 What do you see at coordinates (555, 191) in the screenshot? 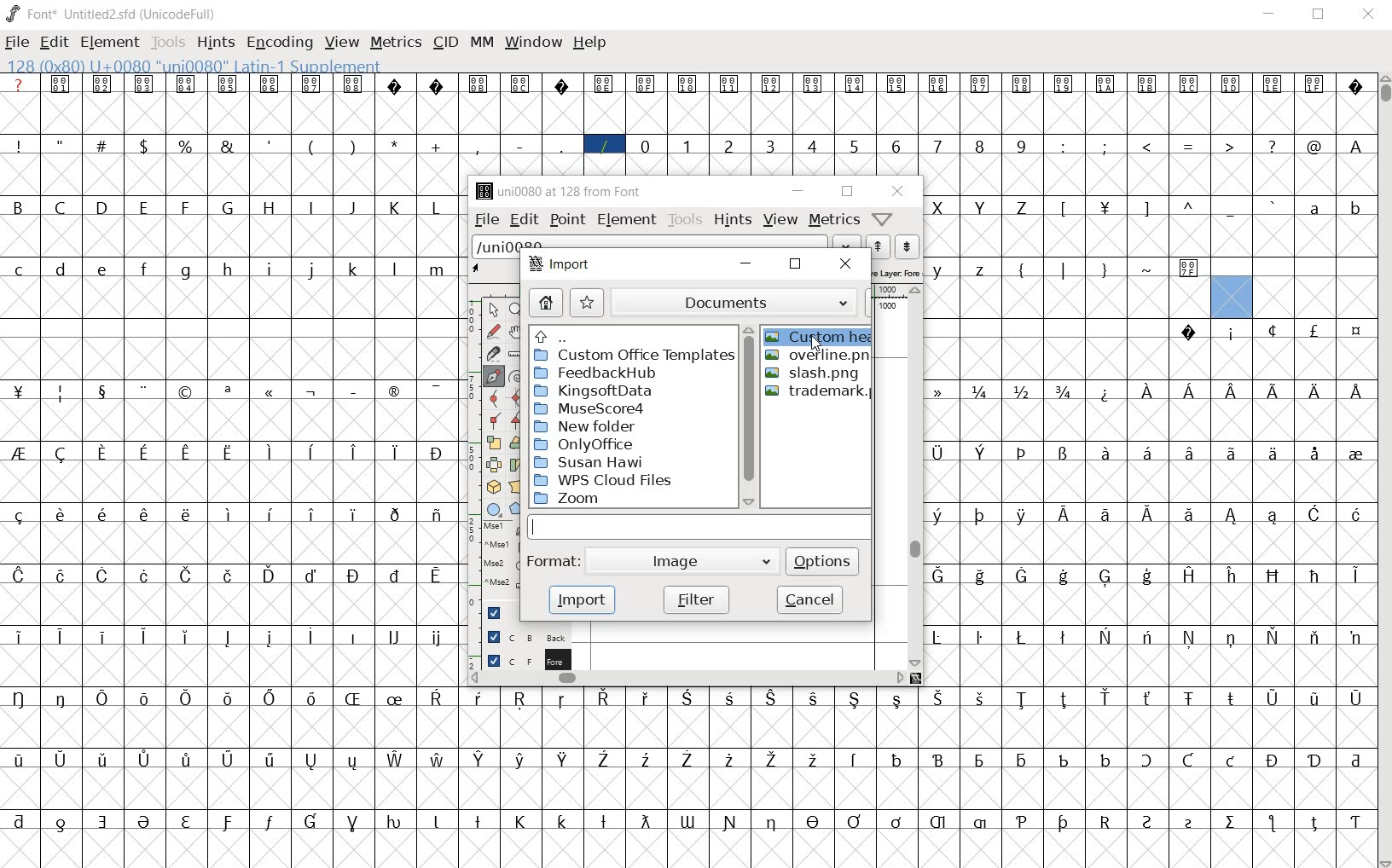
I see `glyph name` at bounding box center [555, 191].